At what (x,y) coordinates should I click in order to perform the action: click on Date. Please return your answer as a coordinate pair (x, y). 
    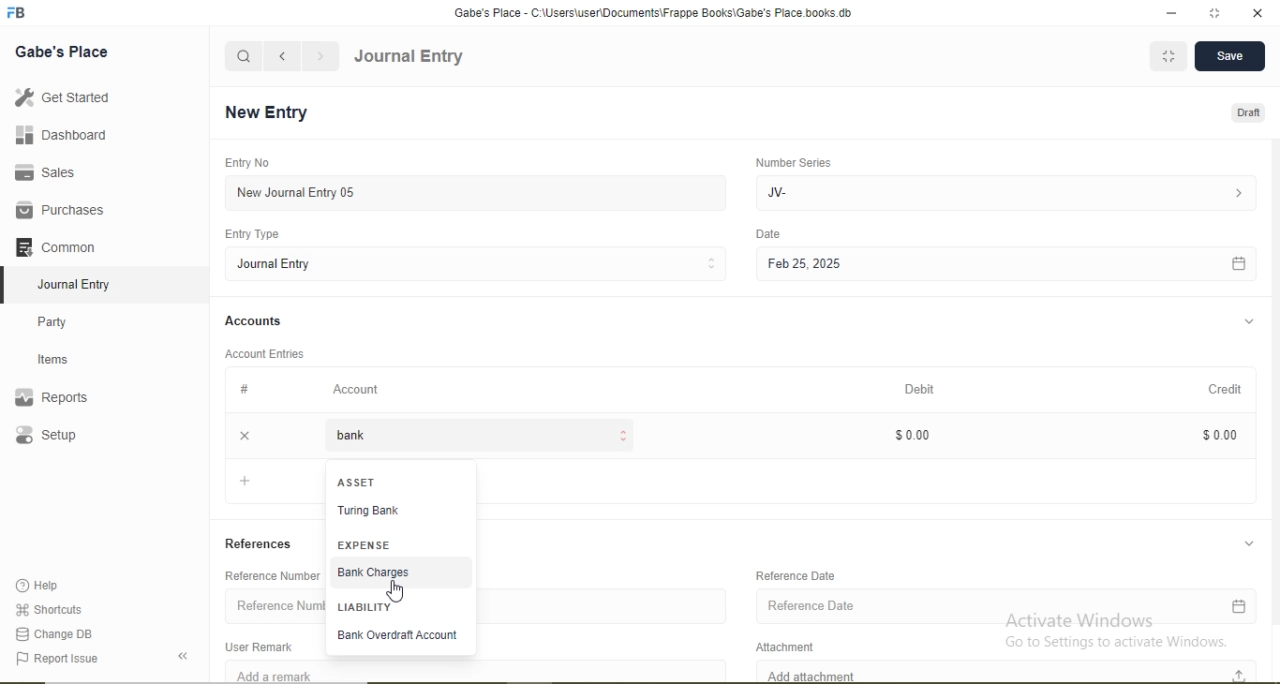
    Looking at the image, I should click on (769, 234).